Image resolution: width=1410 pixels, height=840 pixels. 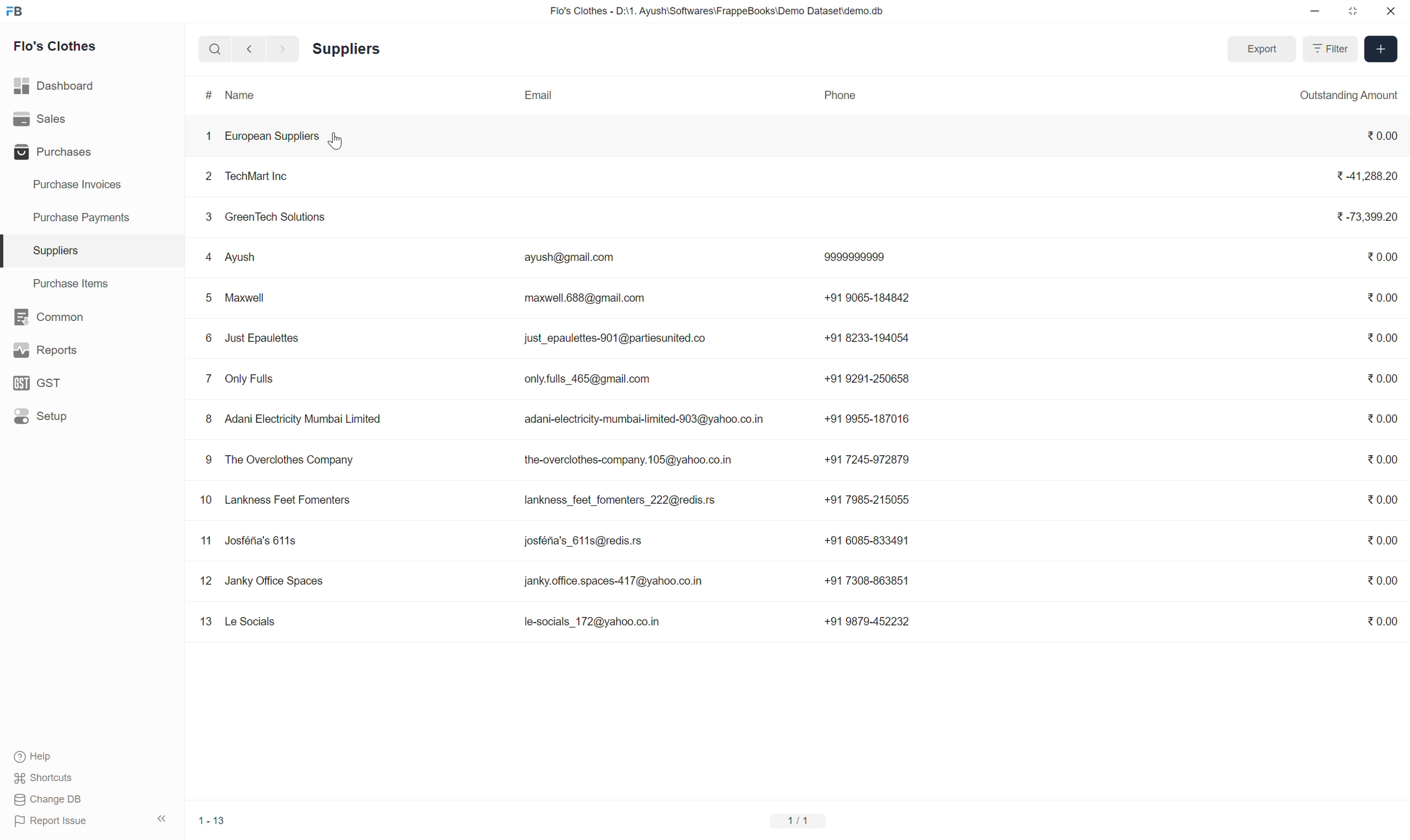 I want to click on Name, so click(x=242, y=95).